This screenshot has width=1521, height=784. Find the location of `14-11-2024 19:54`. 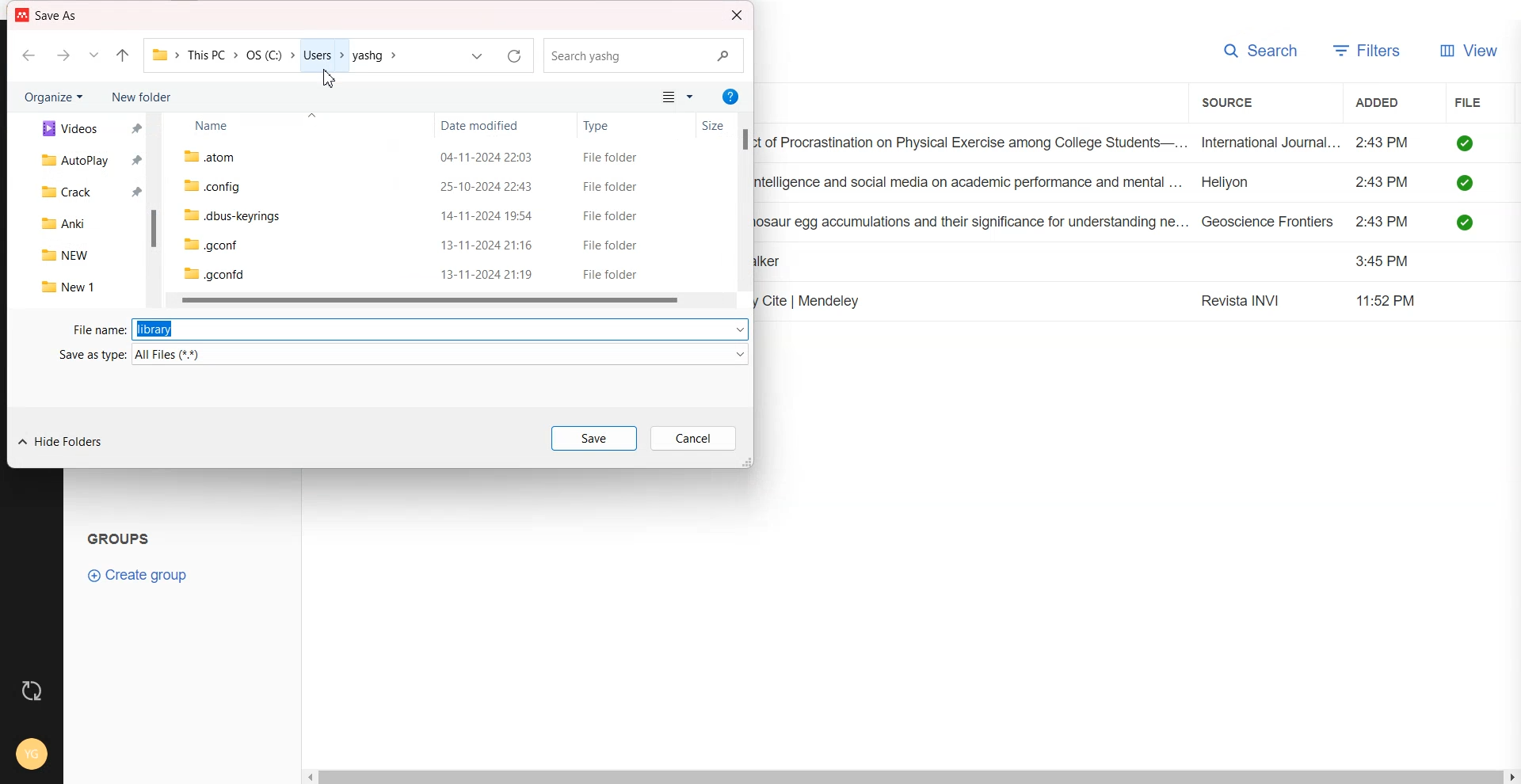

14-11-2024 19:54 is located at coordinates (491, 215).